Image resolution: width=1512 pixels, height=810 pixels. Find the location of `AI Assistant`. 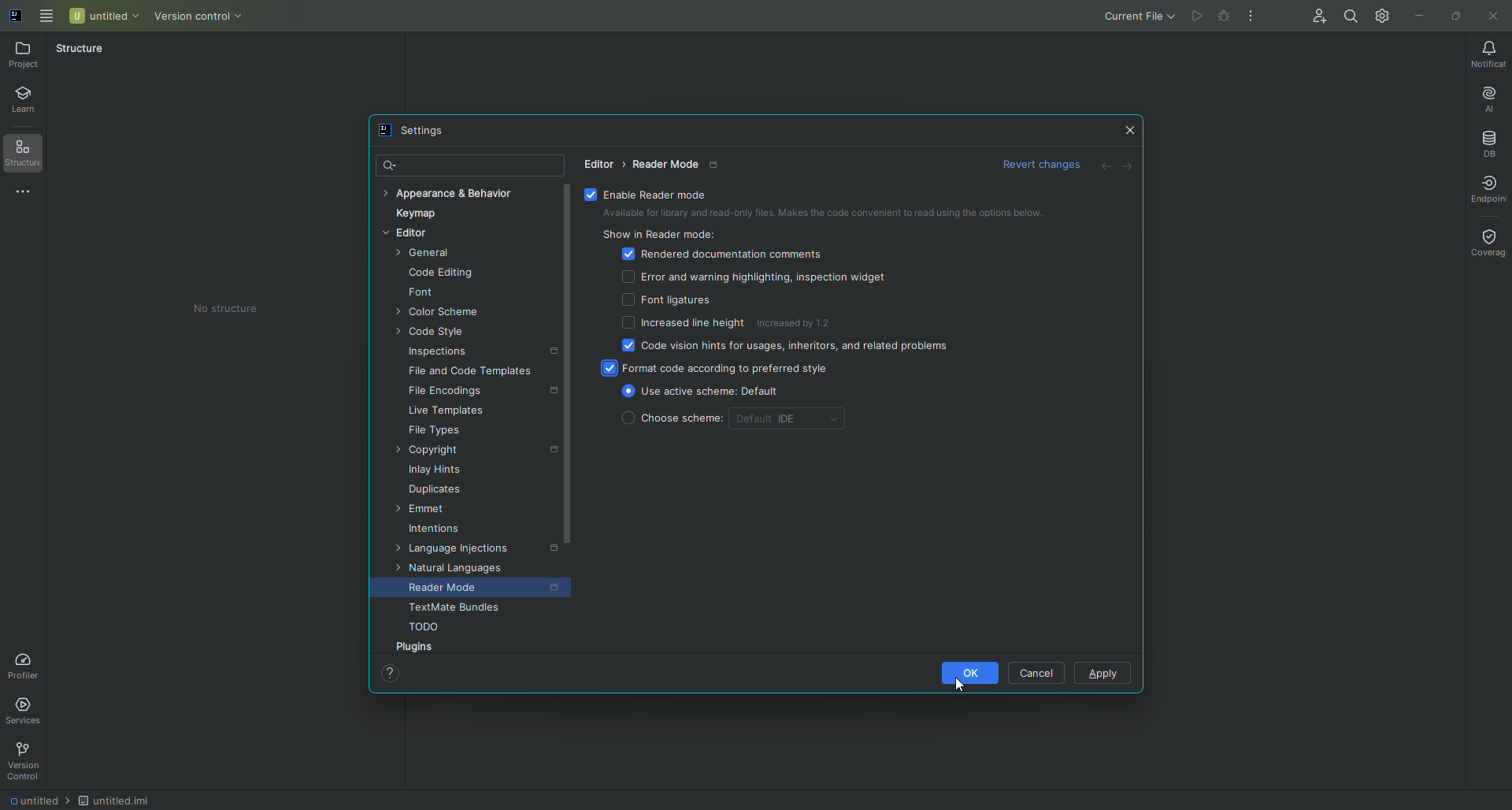

AI Assistant is located at coordinates (1489, 100).